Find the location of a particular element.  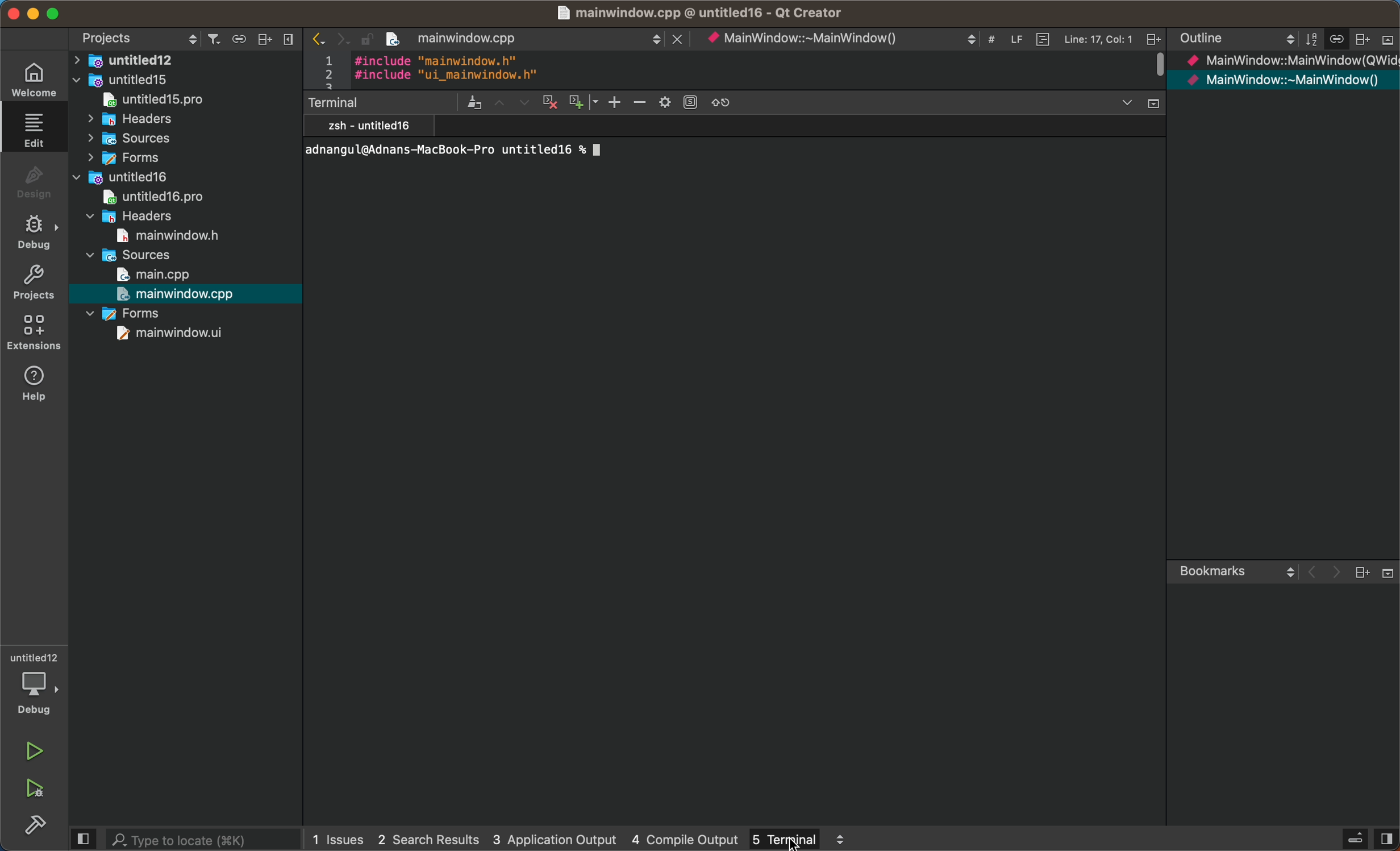

file is located at coordinates (184, 101).